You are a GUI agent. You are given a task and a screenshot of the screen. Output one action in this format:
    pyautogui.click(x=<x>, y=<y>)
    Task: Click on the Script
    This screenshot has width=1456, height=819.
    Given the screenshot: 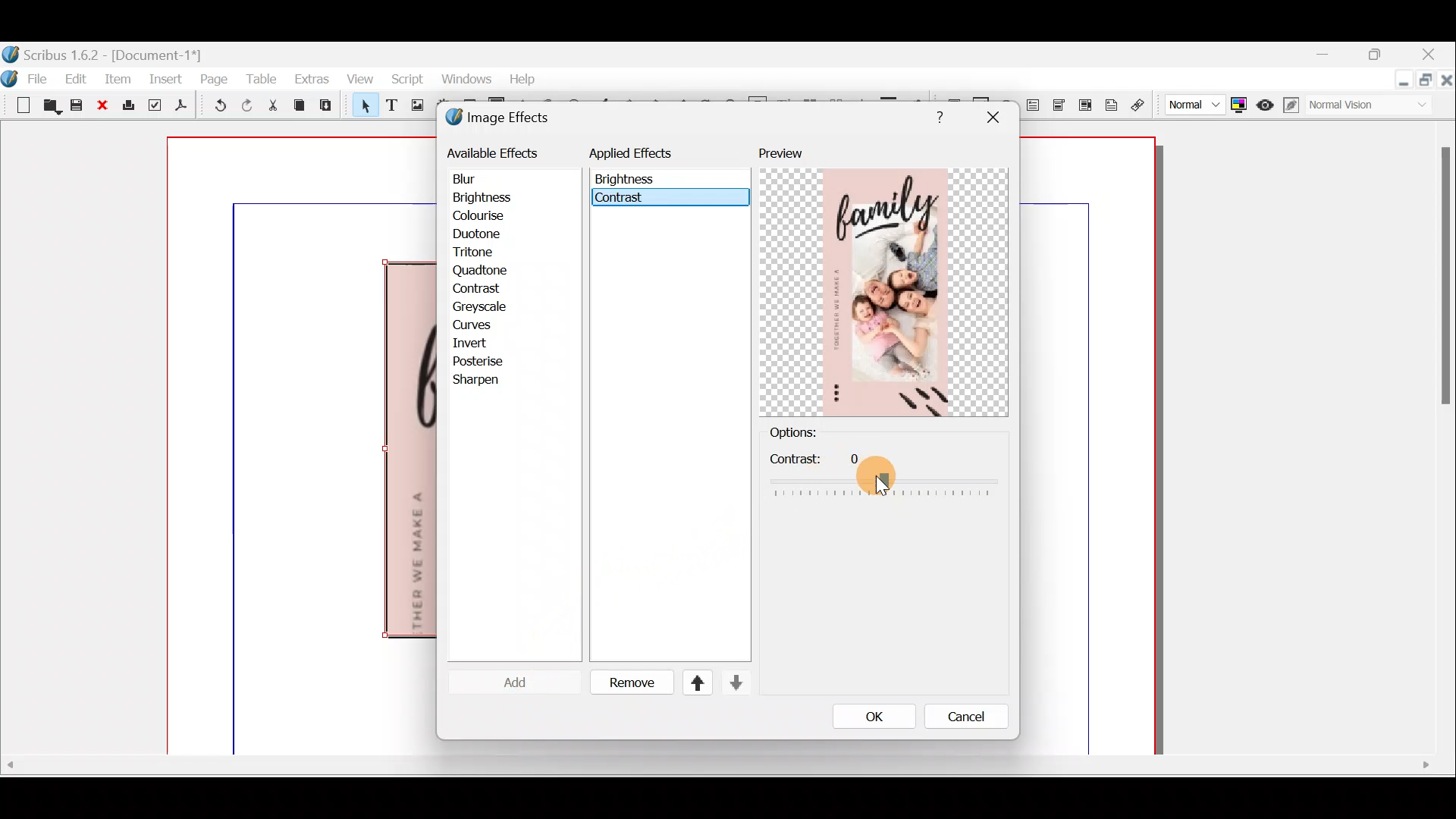 What is the action you would take?
    pyautogui.click(x=406, y=81)
    